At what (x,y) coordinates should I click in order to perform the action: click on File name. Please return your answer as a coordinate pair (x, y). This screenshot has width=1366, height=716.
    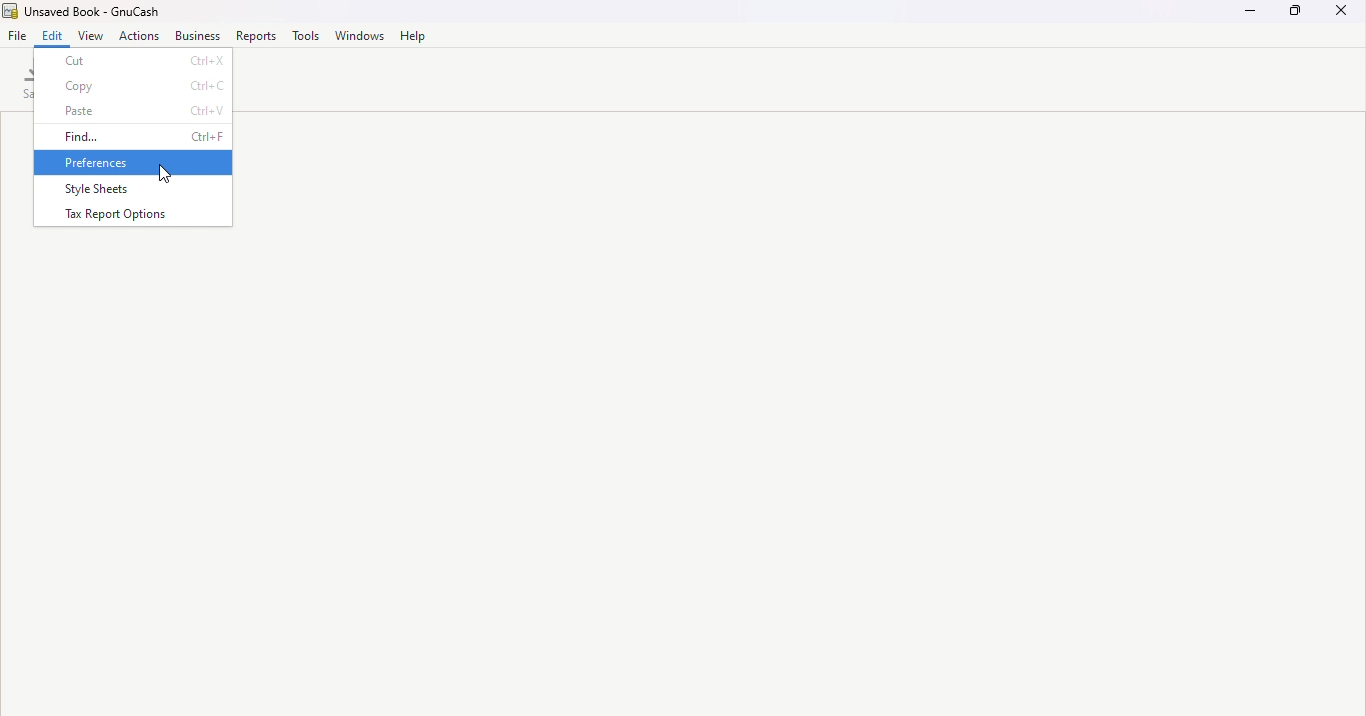
    Looking at the image, I should click on (89, 11).